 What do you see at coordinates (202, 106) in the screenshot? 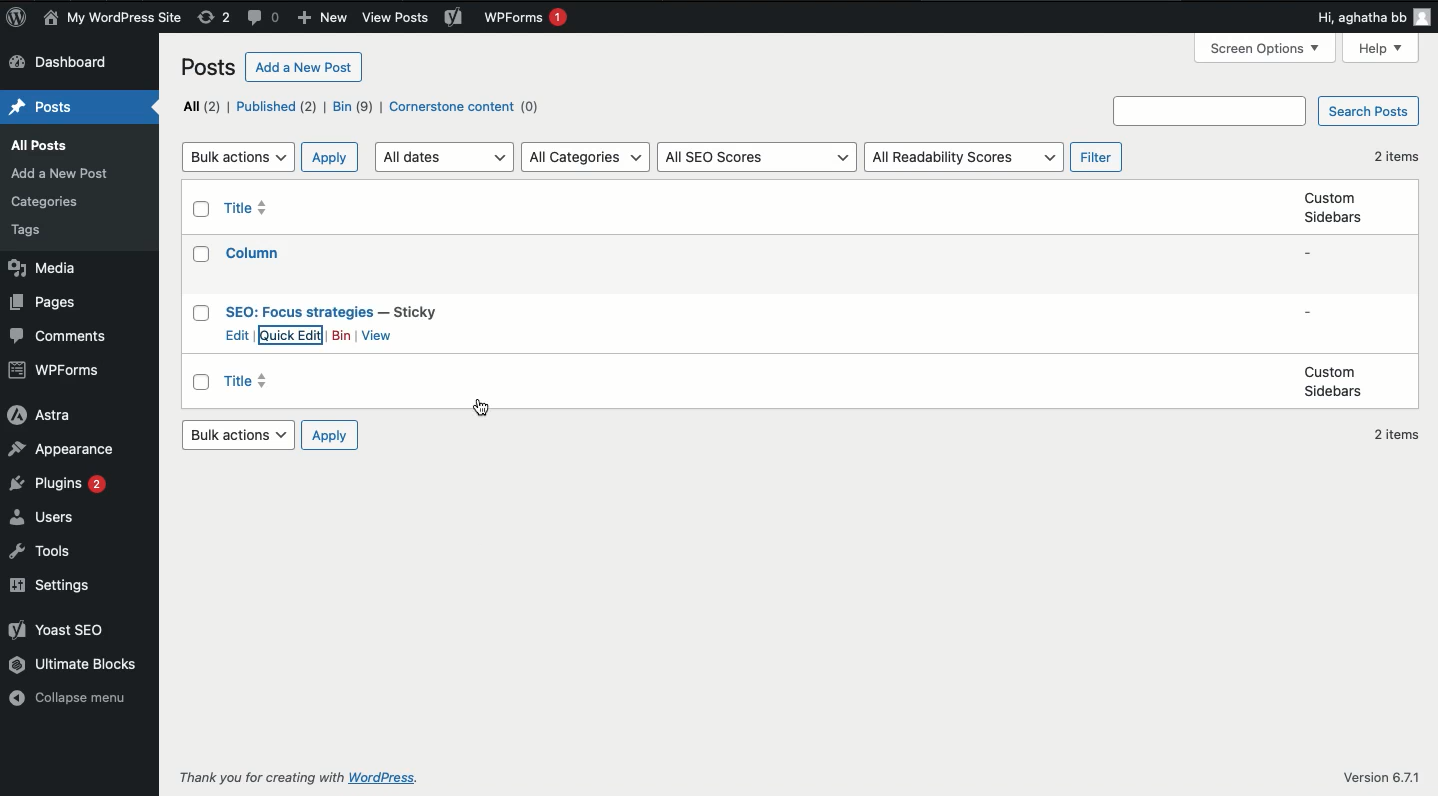
I see `All` at bounding box center [202, 106].